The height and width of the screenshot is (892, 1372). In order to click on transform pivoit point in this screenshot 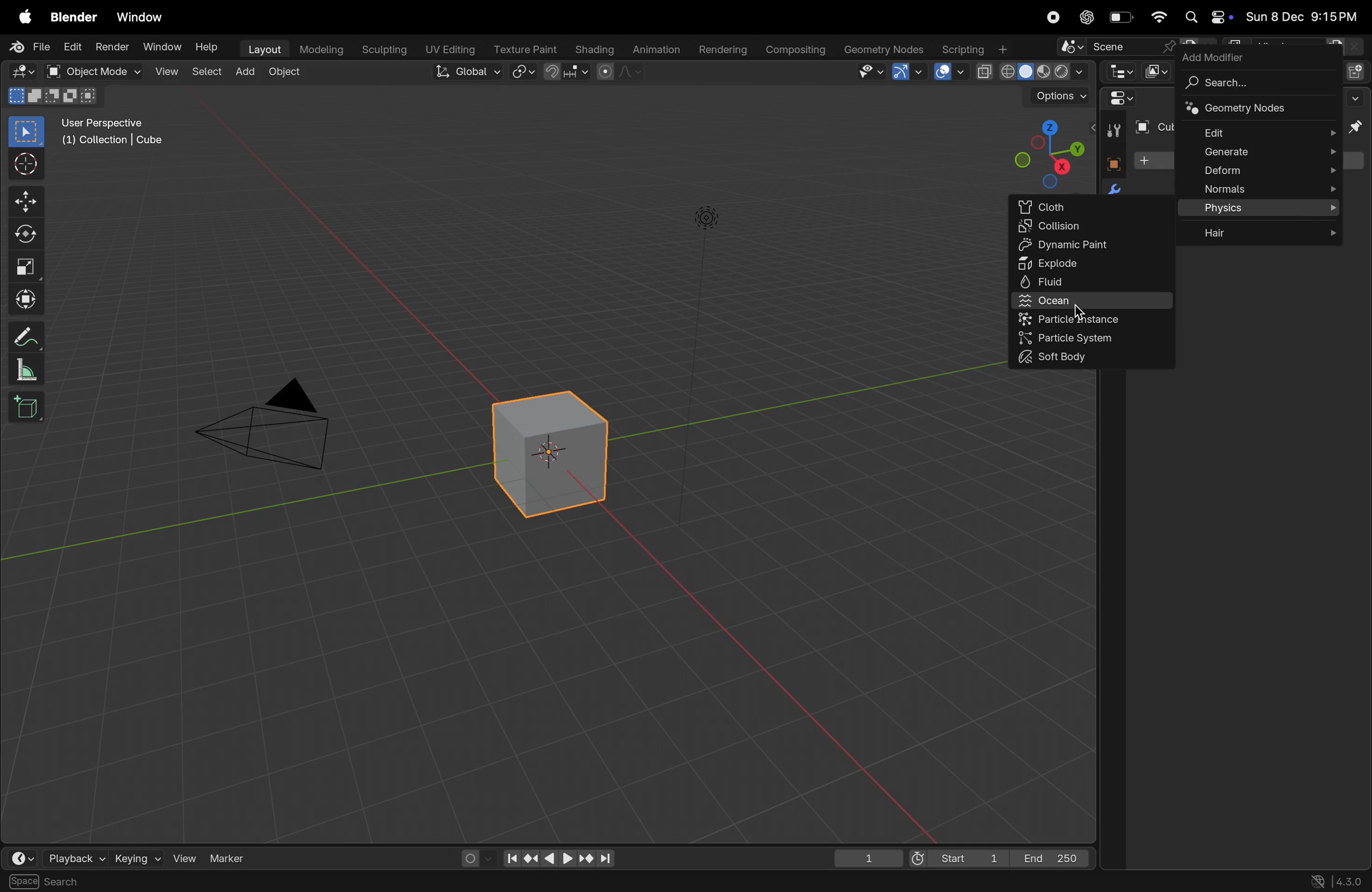, I will do `click(524, 73)`.